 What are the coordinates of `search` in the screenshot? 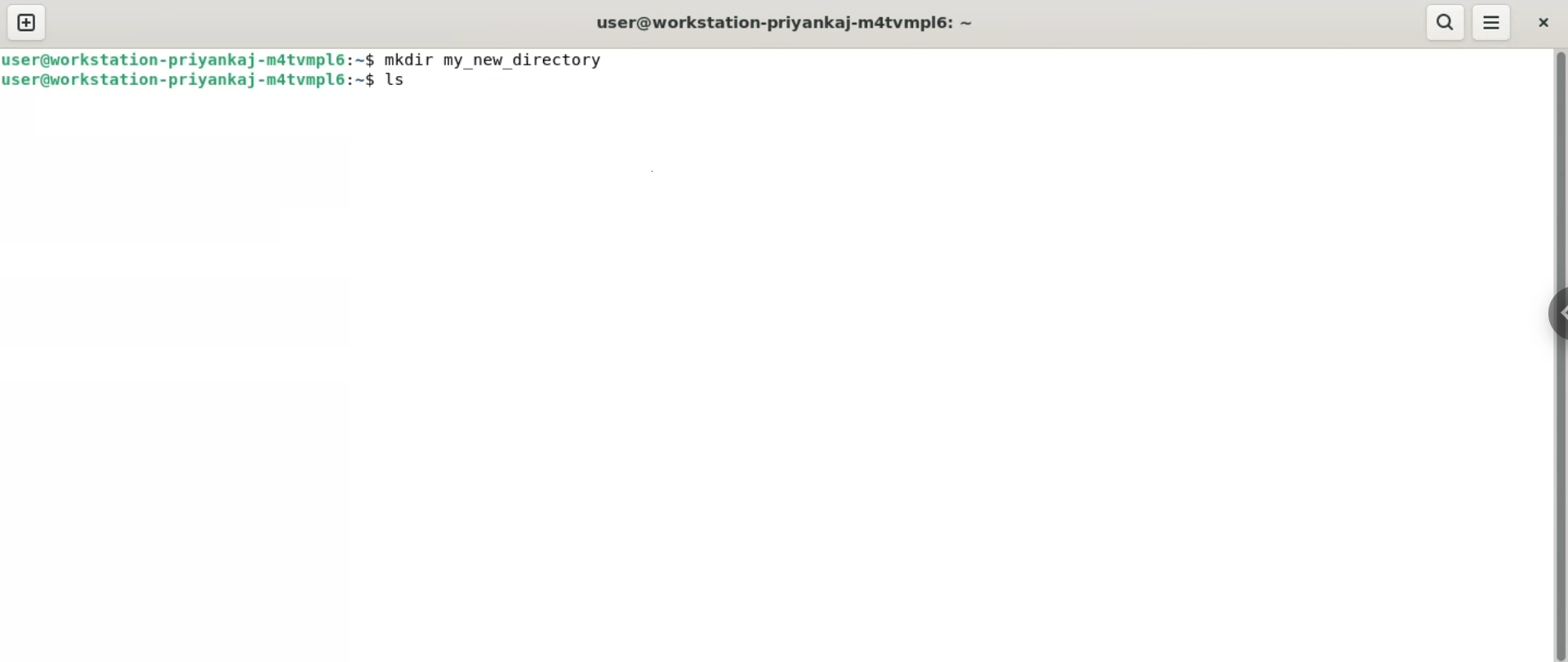 It's located at (1445, 22).